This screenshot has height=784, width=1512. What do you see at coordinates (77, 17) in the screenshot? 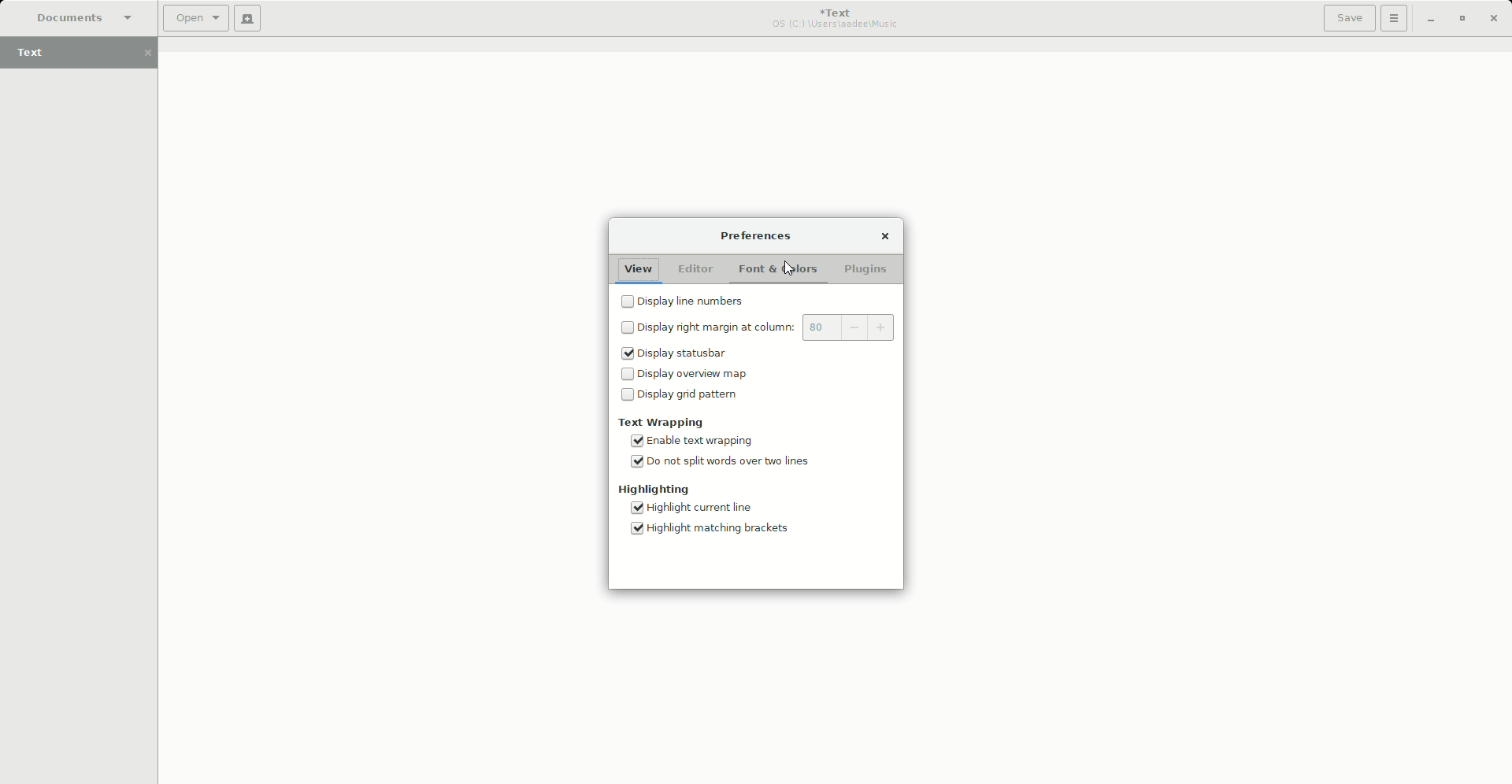
I see `Documents` at bounding box center [77, 17].